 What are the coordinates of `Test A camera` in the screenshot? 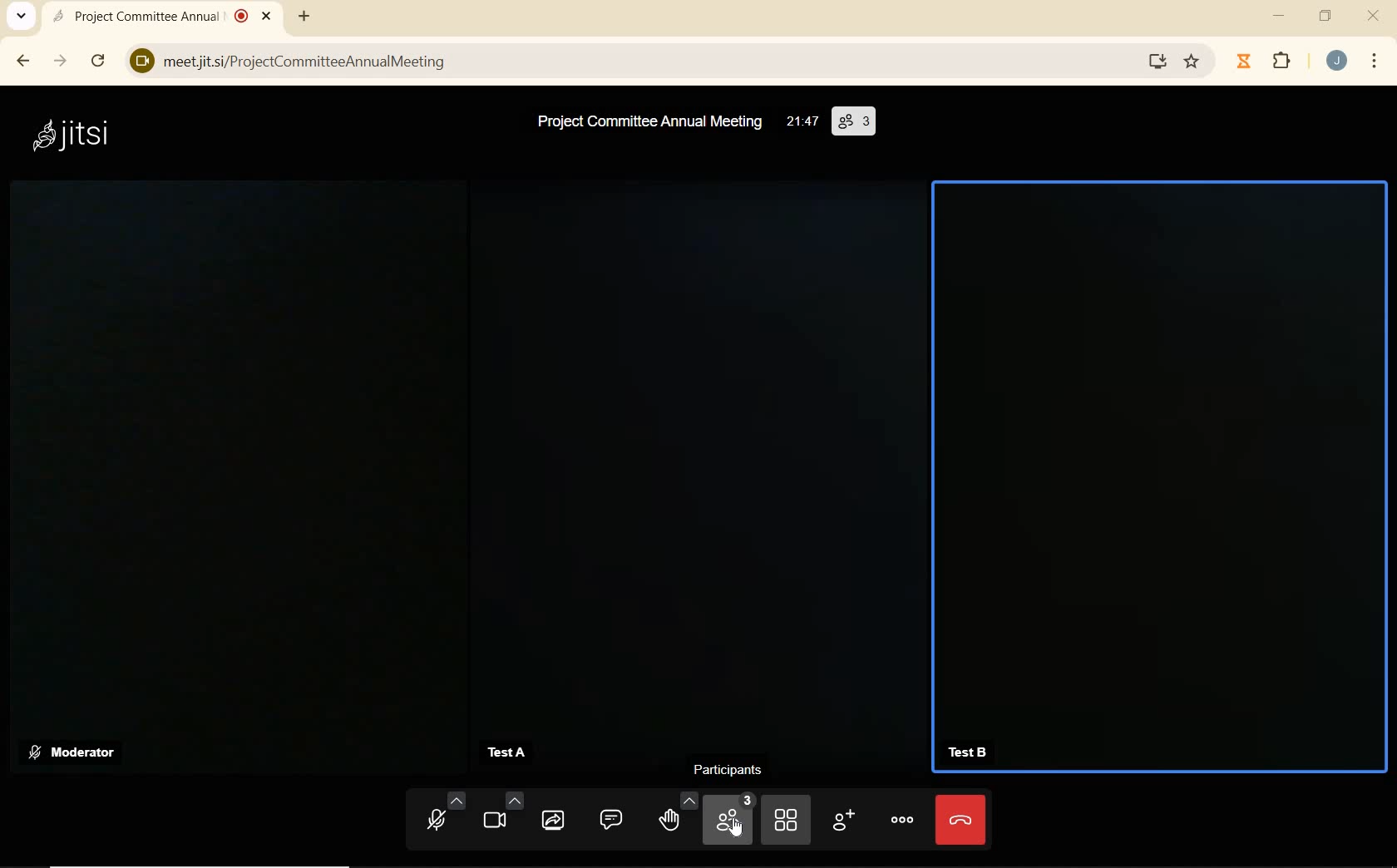 It's located at (696, 455).